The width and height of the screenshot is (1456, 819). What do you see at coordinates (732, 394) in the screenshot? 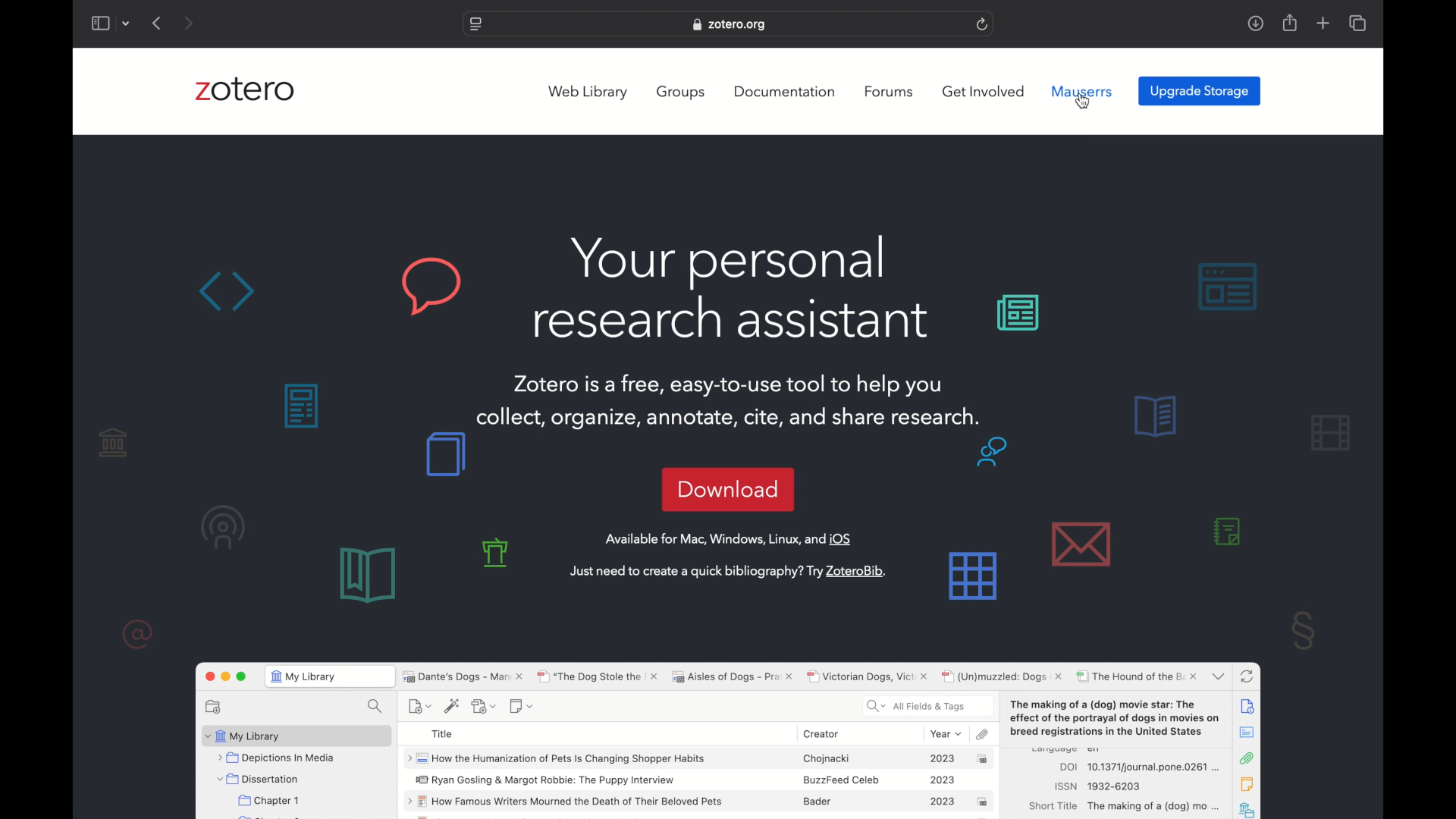
I see `Zotero is a free, easy-to-use tool to help youcollect, organize, annotate, cite, and share research." ` at bounding box center [732, 394].